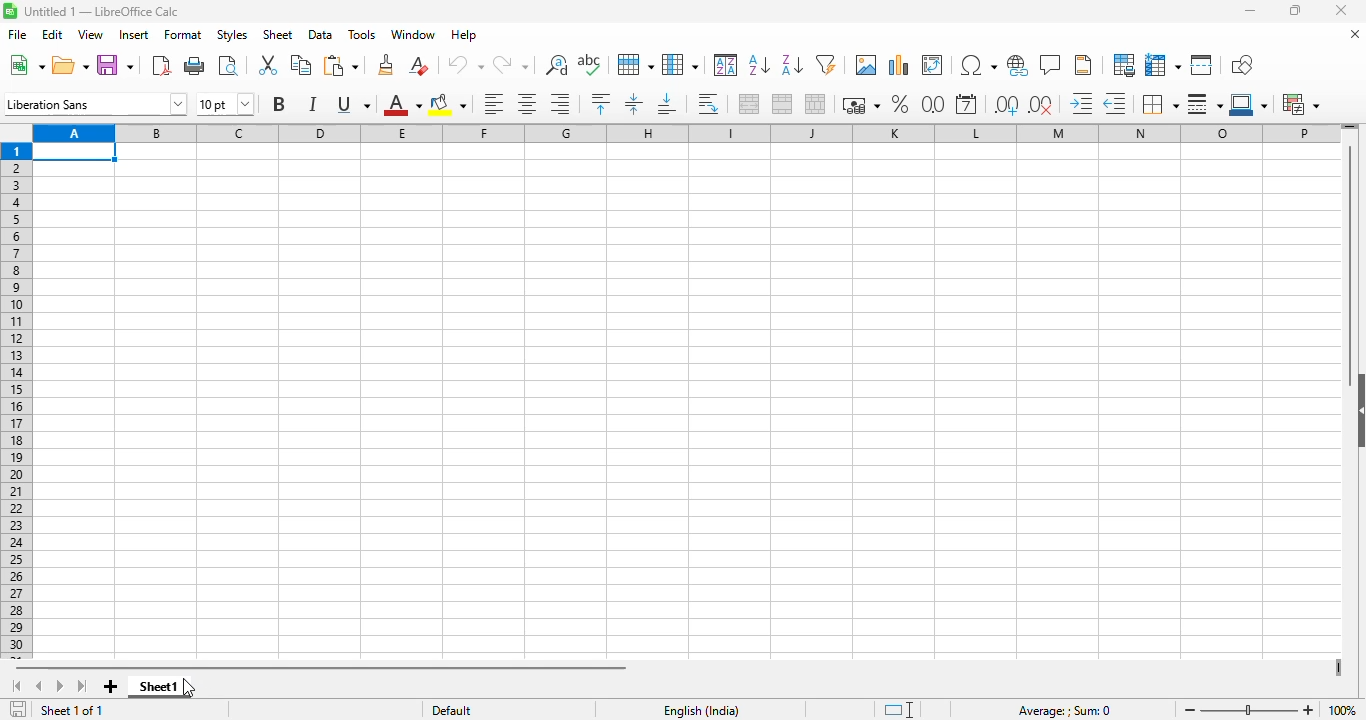  Describe the element at coordinates (1006, 105) in the screenshot. I see `add decimal place` at that location.